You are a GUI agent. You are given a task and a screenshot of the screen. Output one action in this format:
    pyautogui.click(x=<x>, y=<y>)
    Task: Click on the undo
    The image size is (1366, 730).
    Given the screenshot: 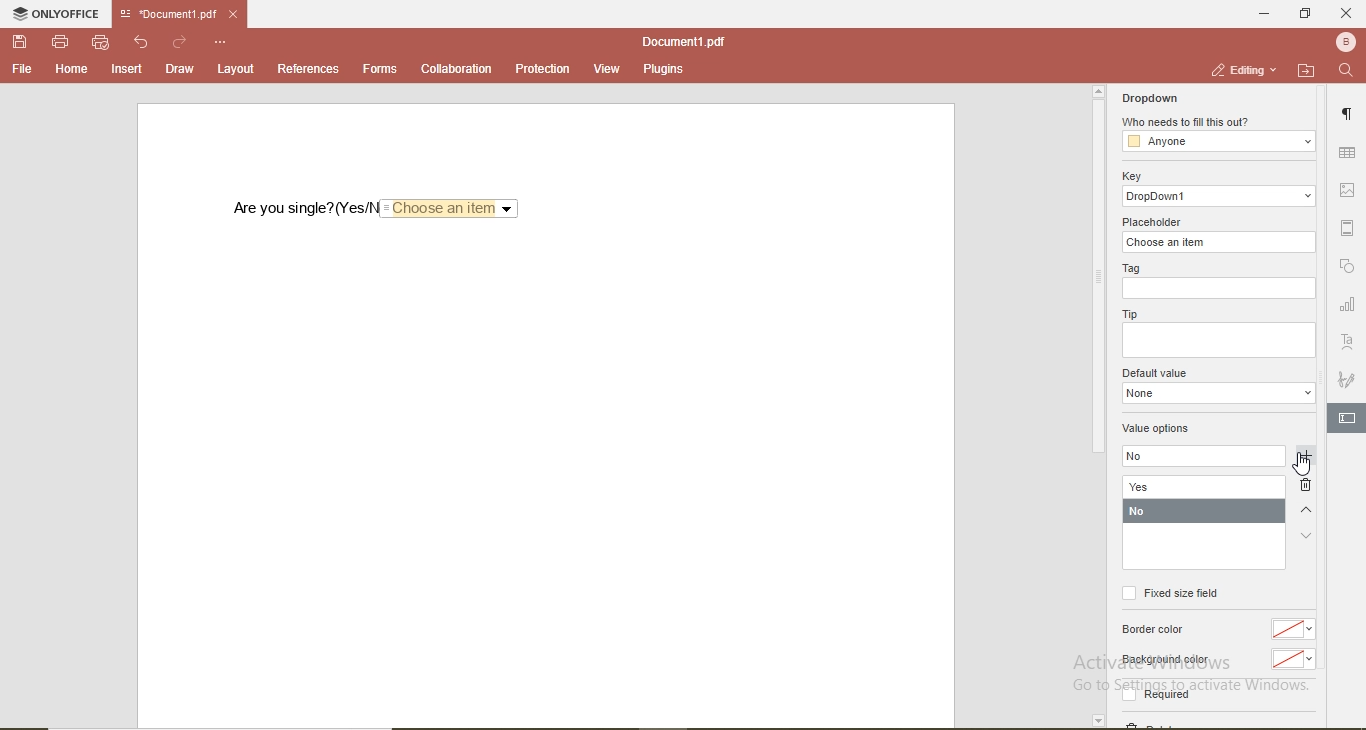 What is the action you would take?
    pyautogui.click(x=142, y=43)
    